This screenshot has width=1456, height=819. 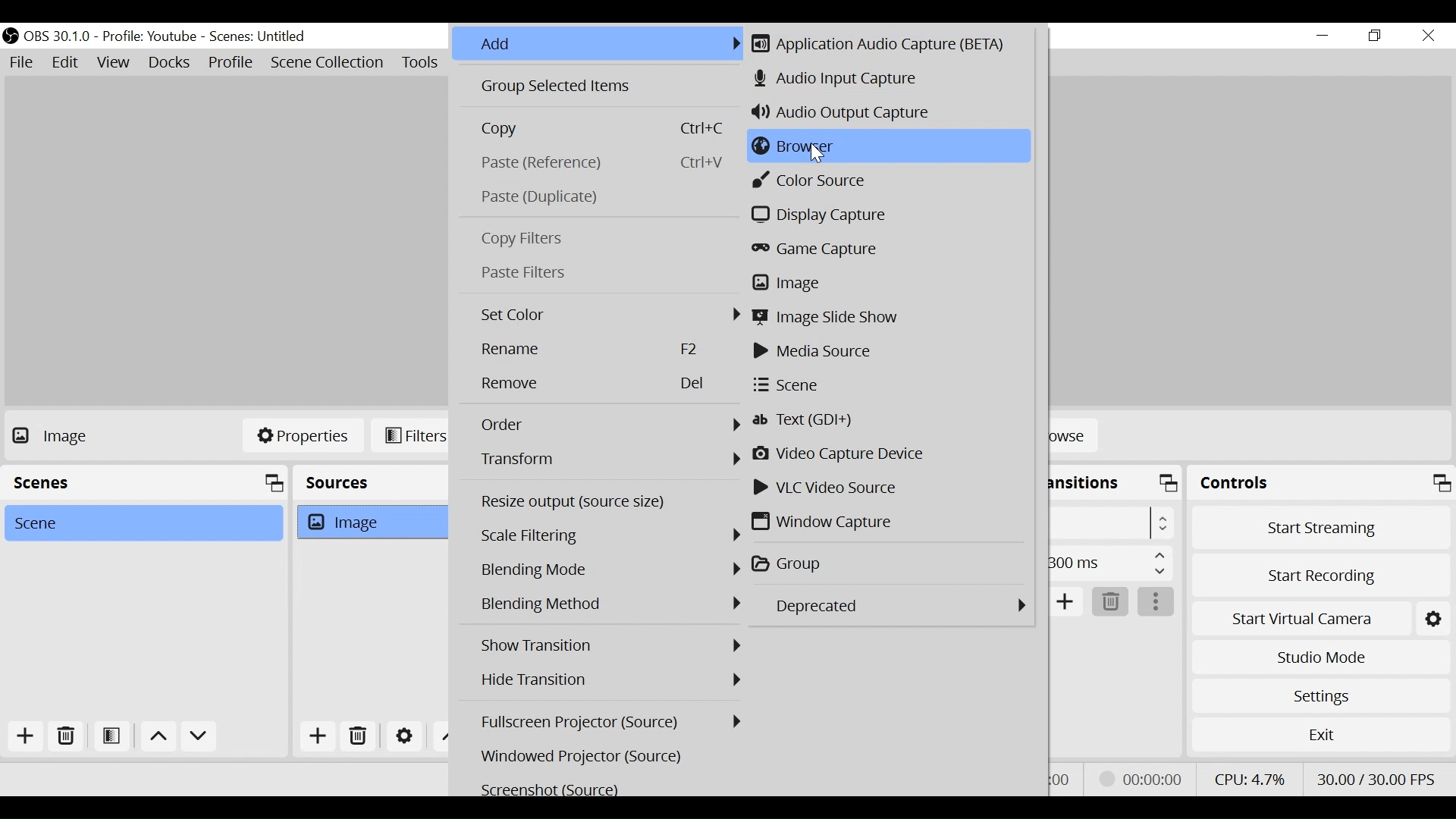 I want to click on Exit, so click(x=1320, y=733).